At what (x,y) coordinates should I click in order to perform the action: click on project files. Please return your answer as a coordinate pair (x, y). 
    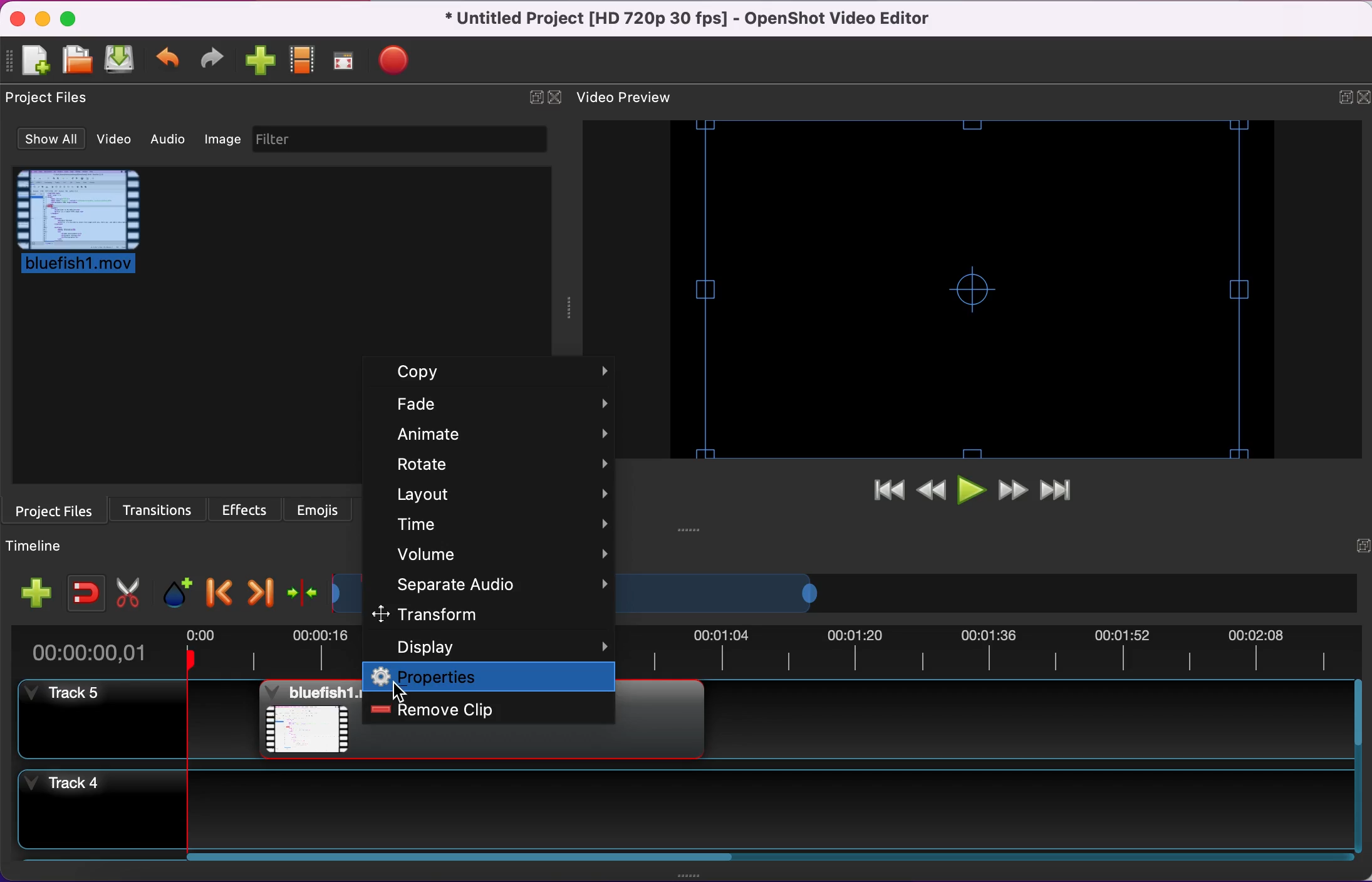
    Looking at the image, I should click on (52, 99).